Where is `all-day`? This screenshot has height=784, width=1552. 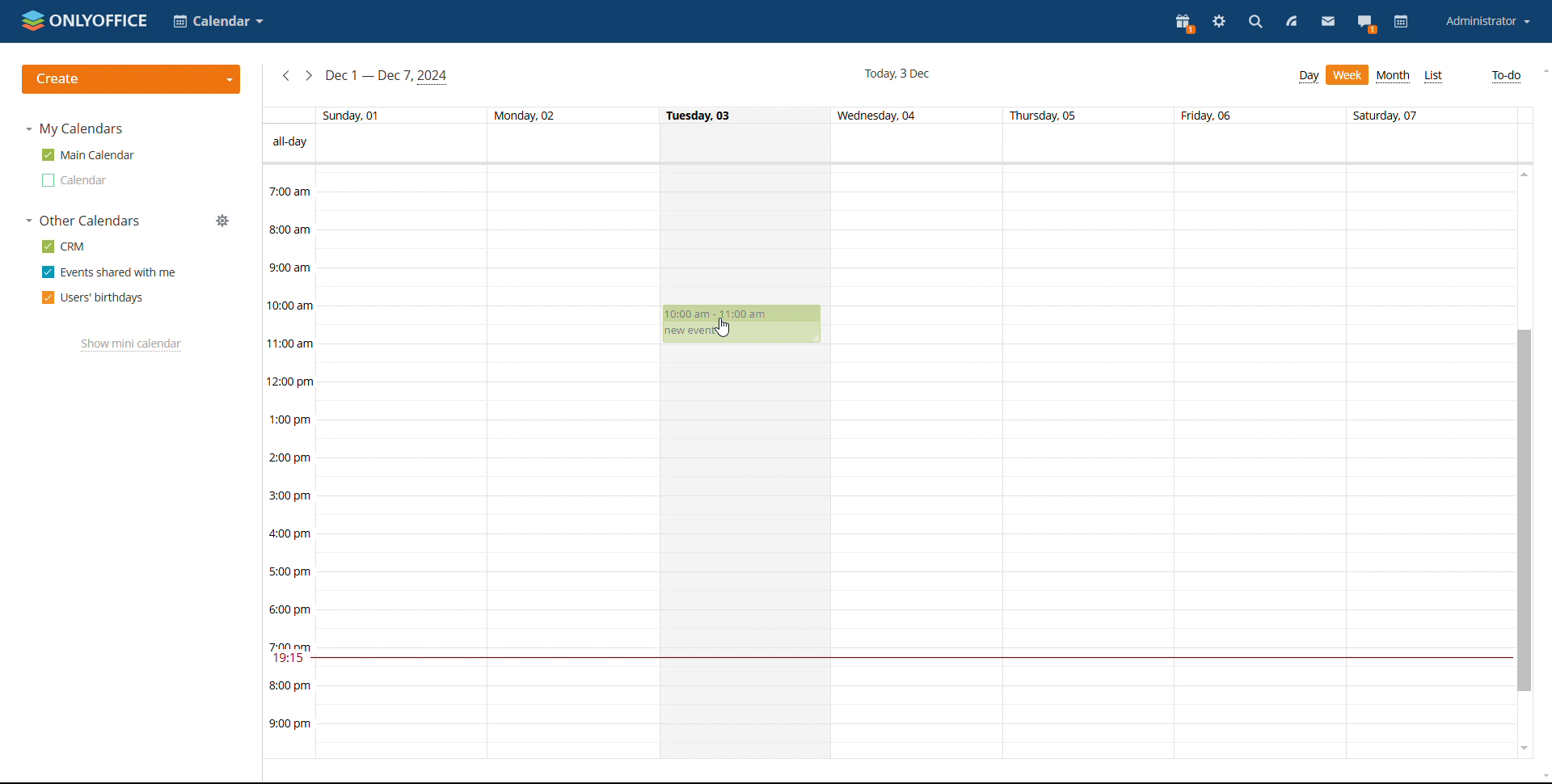
all-day is located at coordinates (290, 141).